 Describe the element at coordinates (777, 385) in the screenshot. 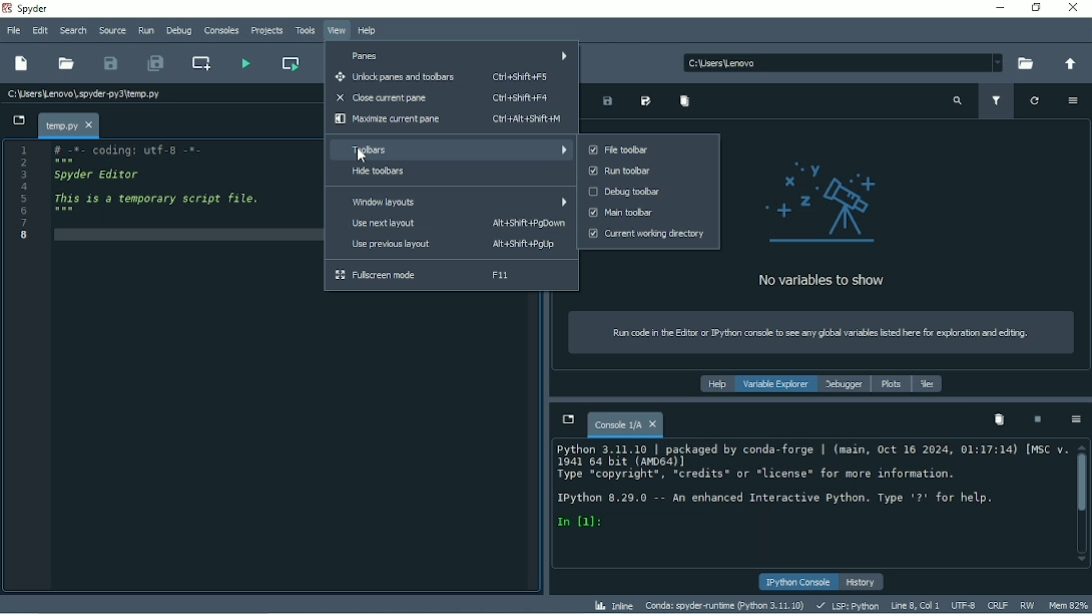

I see `Variable explorer` at that location.